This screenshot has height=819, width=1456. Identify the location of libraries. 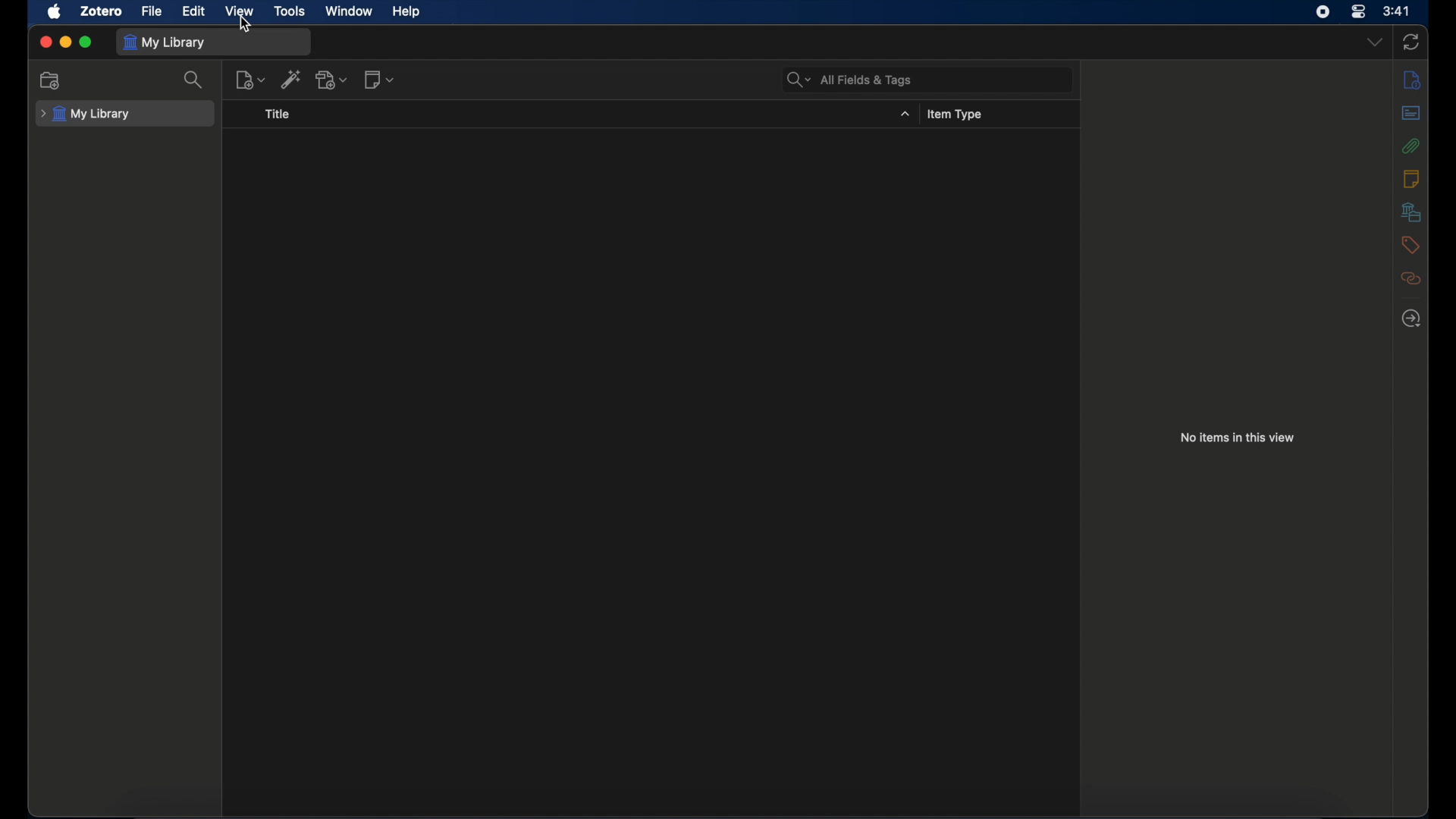
(1411, 212).